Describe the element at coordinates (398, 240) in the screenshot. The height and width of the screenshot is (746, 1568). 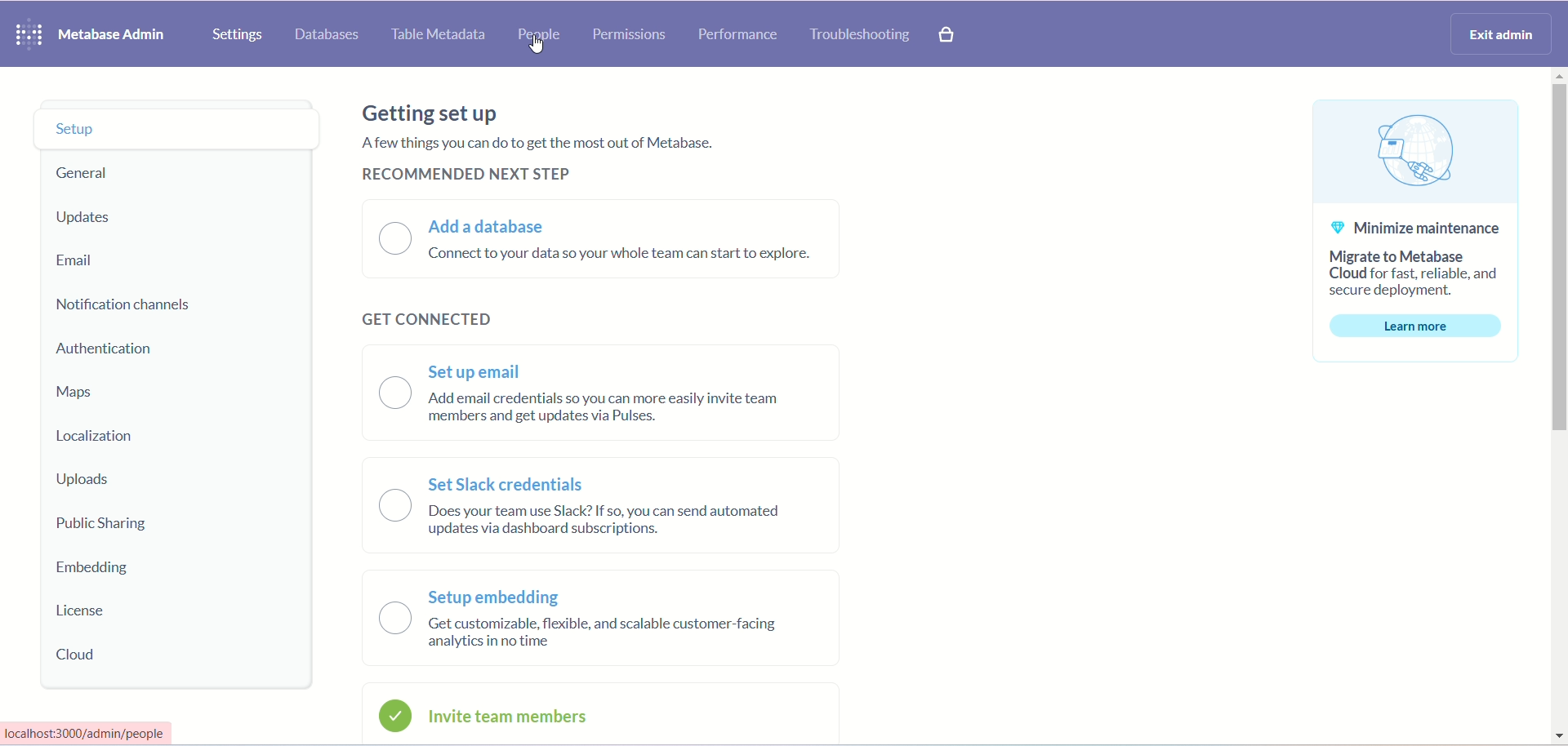
I see `toggle button` at that location.